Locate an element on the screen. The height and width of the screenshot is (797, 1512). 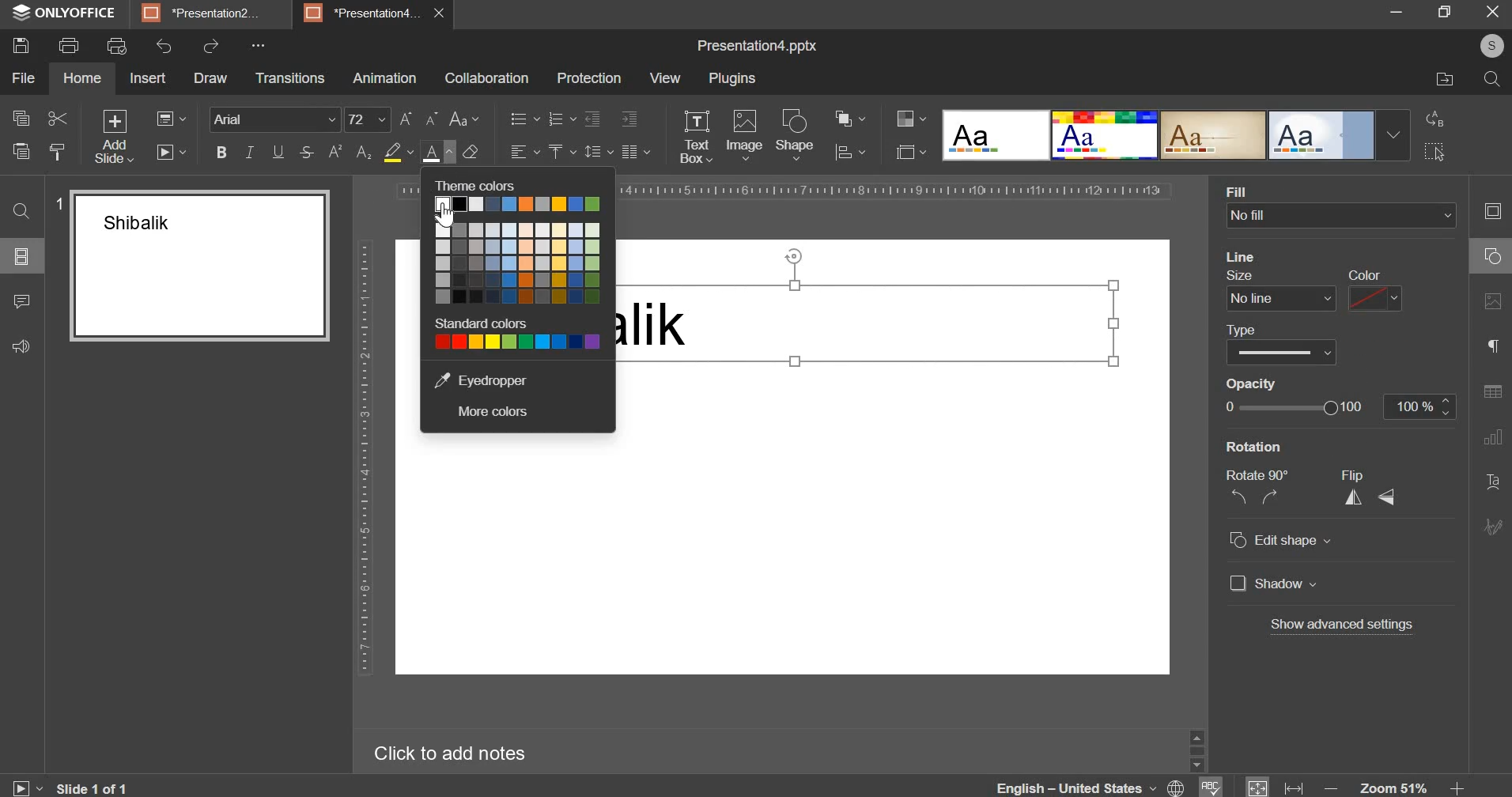
animation is located at coordinates (385, 78).